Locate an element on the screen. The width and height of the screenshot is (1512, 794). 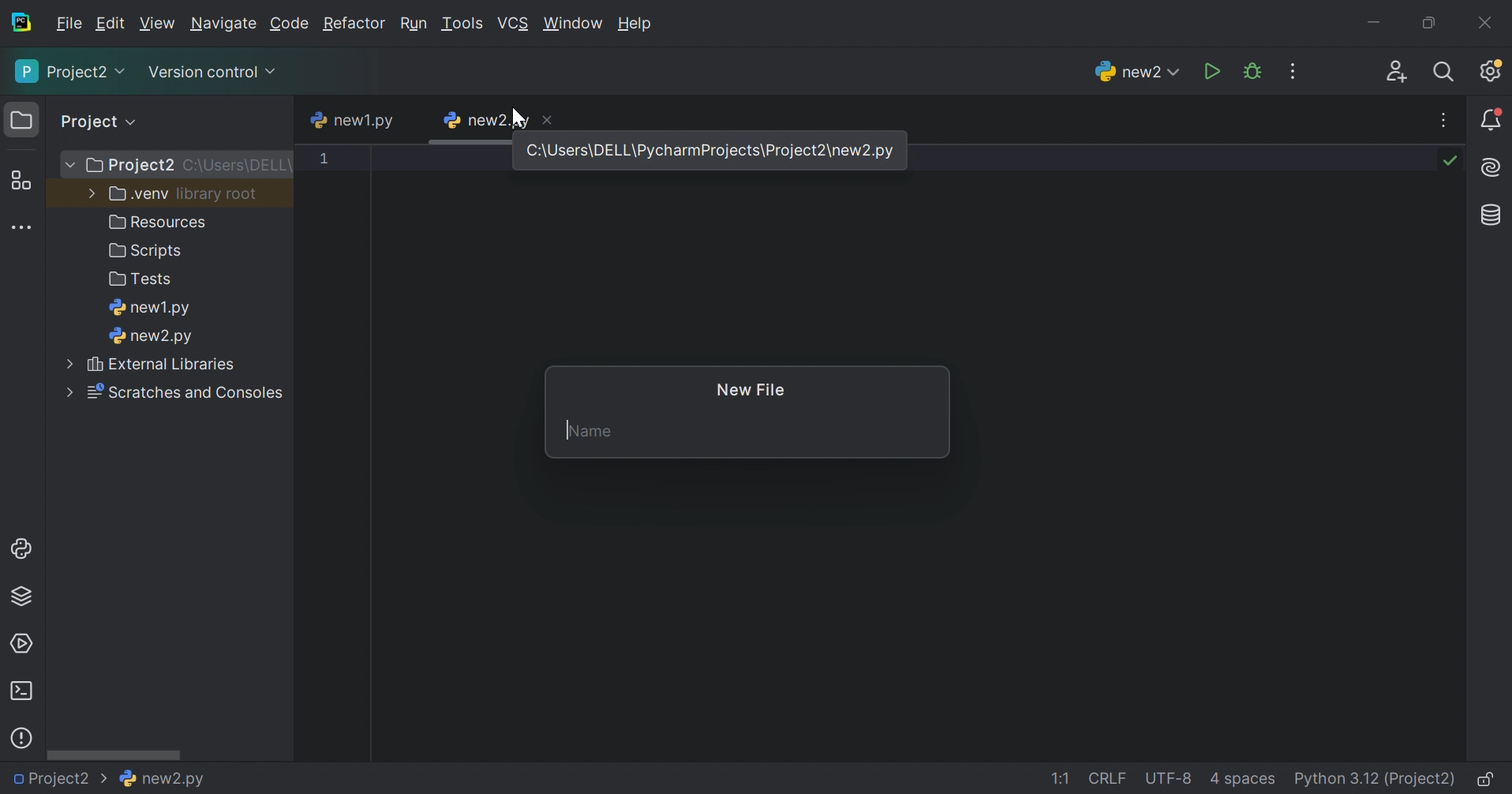
Tests is located at coordinates (143, 280).